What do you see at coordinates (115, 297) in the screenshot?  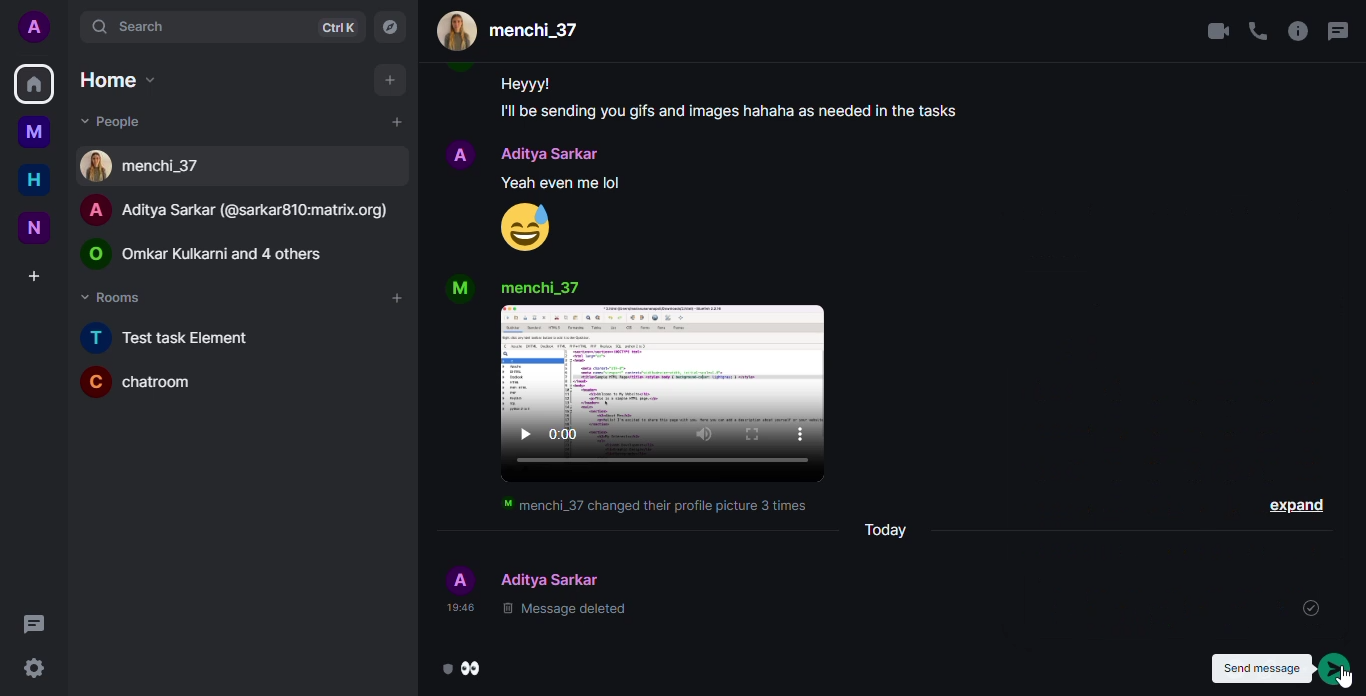 I see `rooms drop down` at bounding box center [115, 297].